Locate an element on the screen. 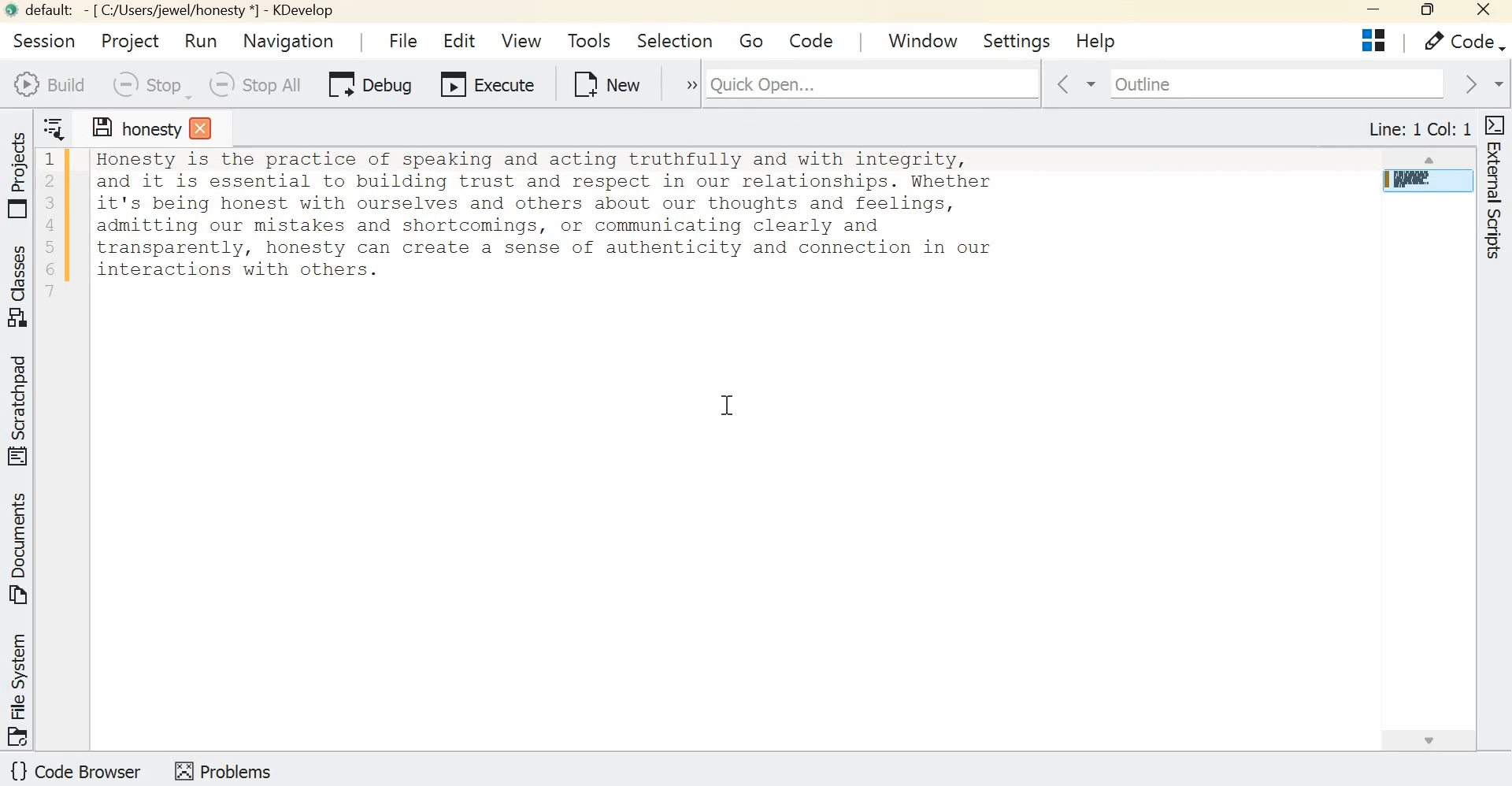 This screenshot has width=1512, height=786. honesty is located at coordinates (150, 134).